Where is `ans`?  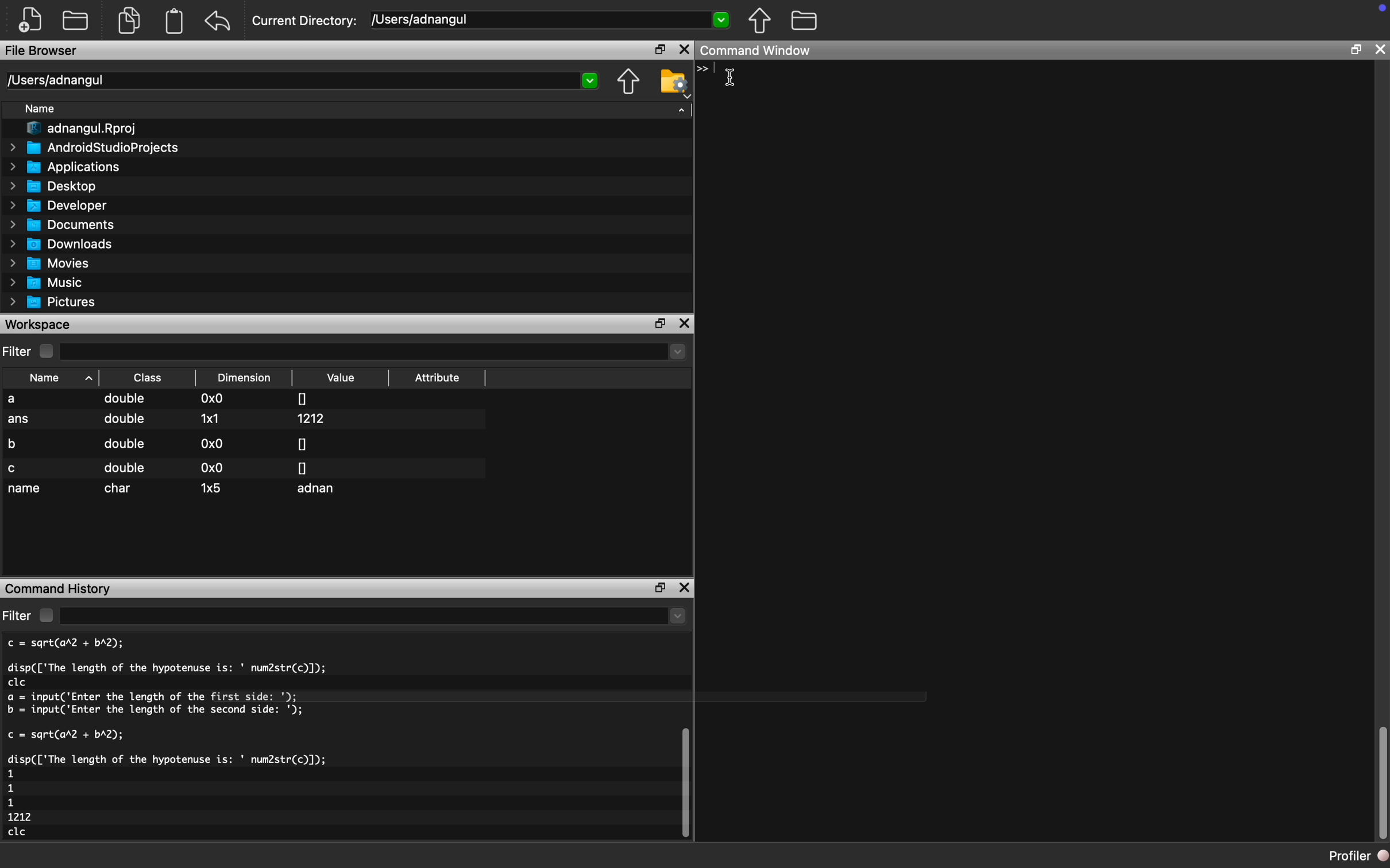 ans is located at coordinates (20, 421).